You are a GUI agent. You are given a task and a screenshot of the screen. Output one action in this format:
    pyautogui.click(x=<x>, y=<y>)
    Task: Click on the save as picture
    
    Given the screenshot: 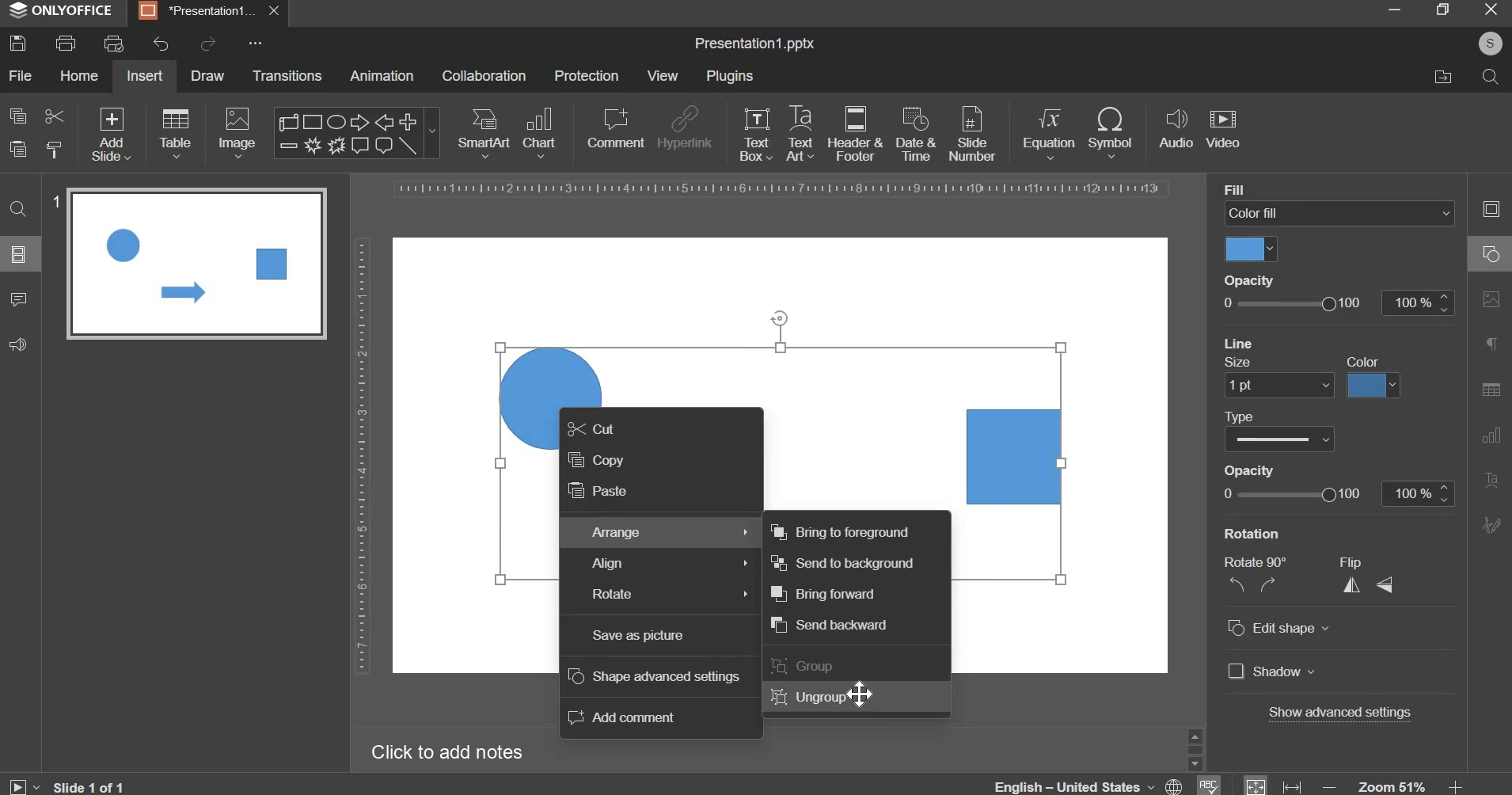 What is the action you would take?
    pyautogui.click(x=638, y=636)
    